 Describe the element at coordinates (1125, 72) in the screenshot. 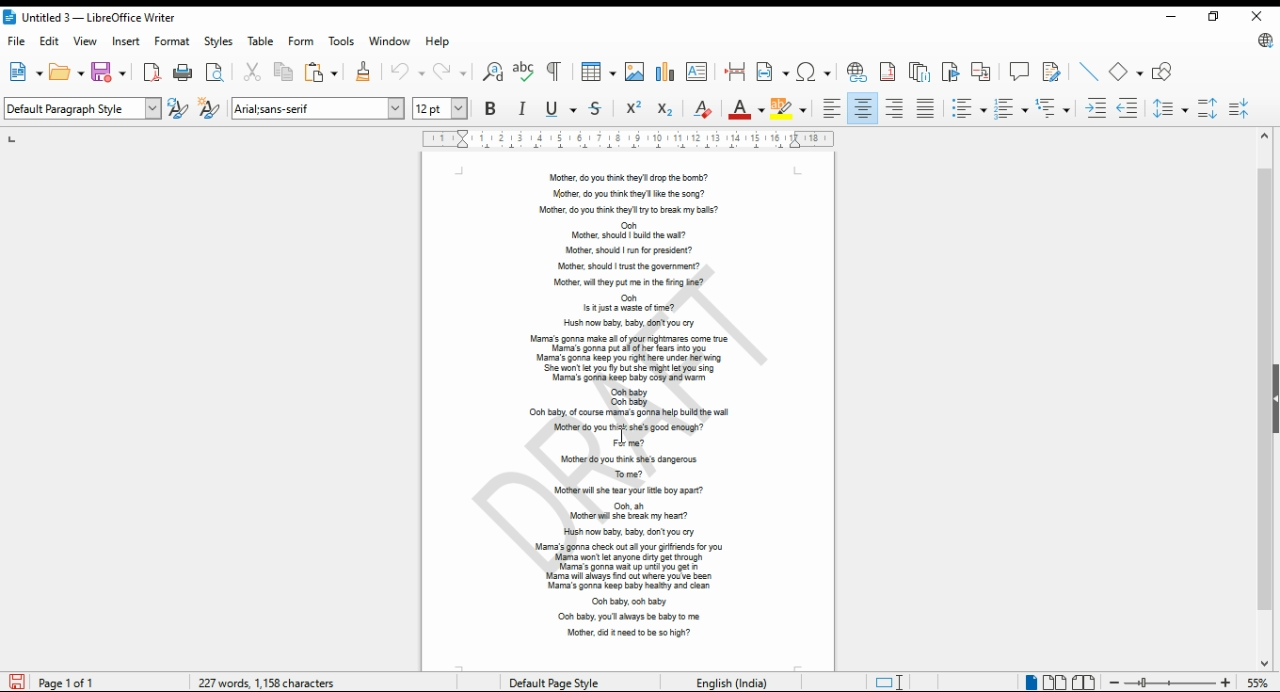

I see `simple shapes` at that location.